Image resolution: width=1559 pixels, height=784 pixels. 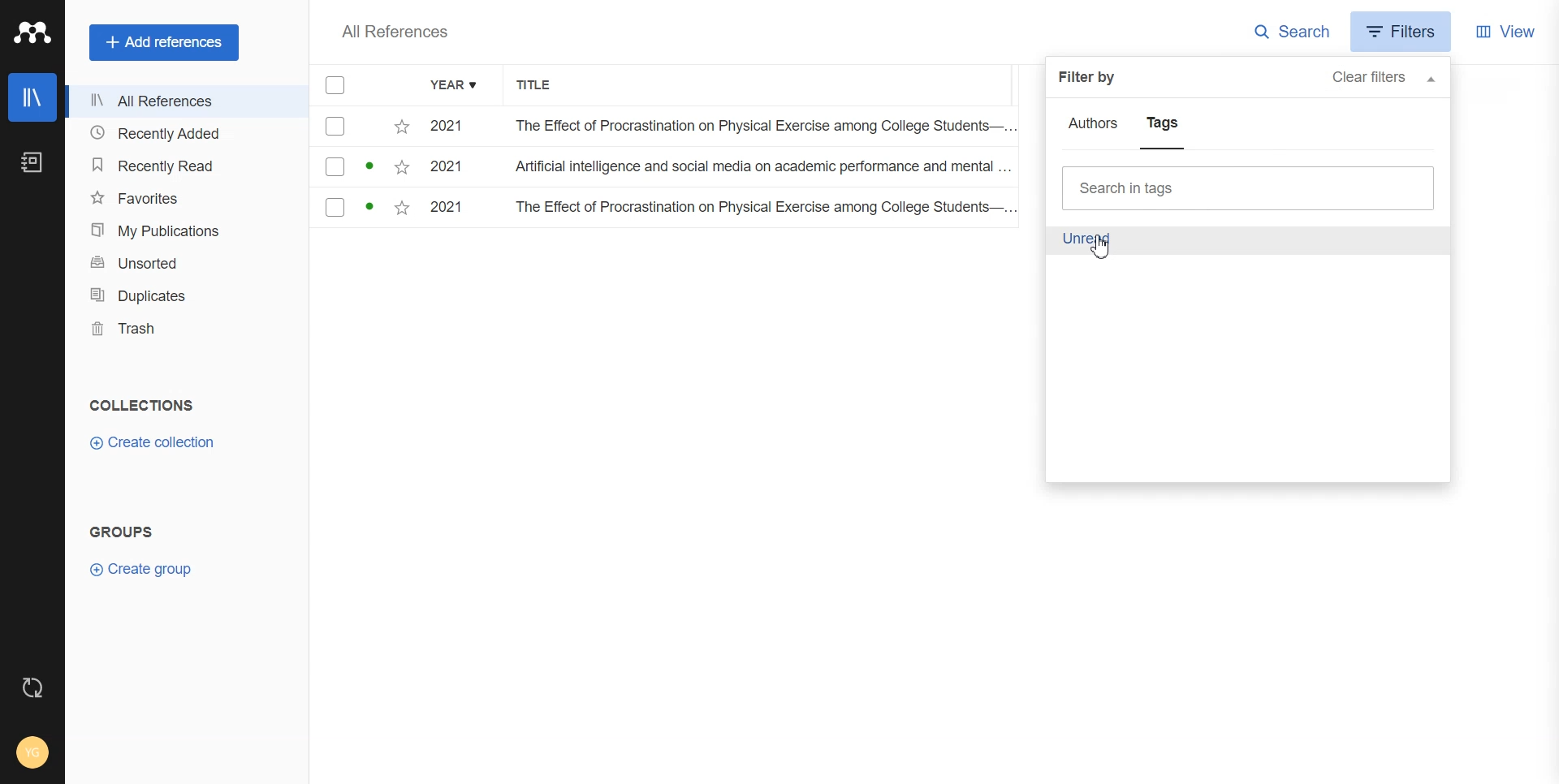 What do you see at coordinates (453, 170) in the screenshot?
I see `2021` at bounding box center [453, 170].